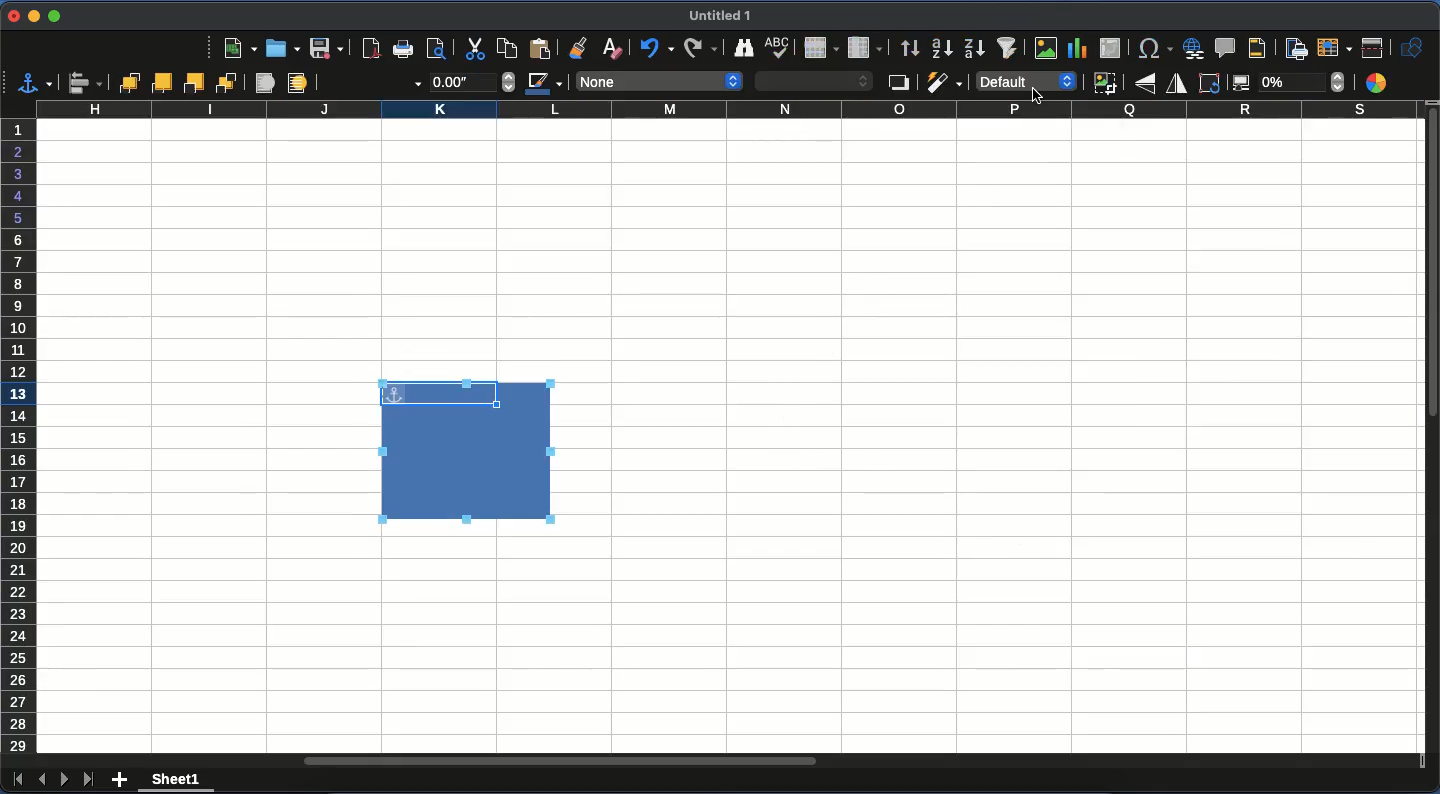  Describe the element at coordinates (196, 82) in the screenshot. I see `back one` at that location.